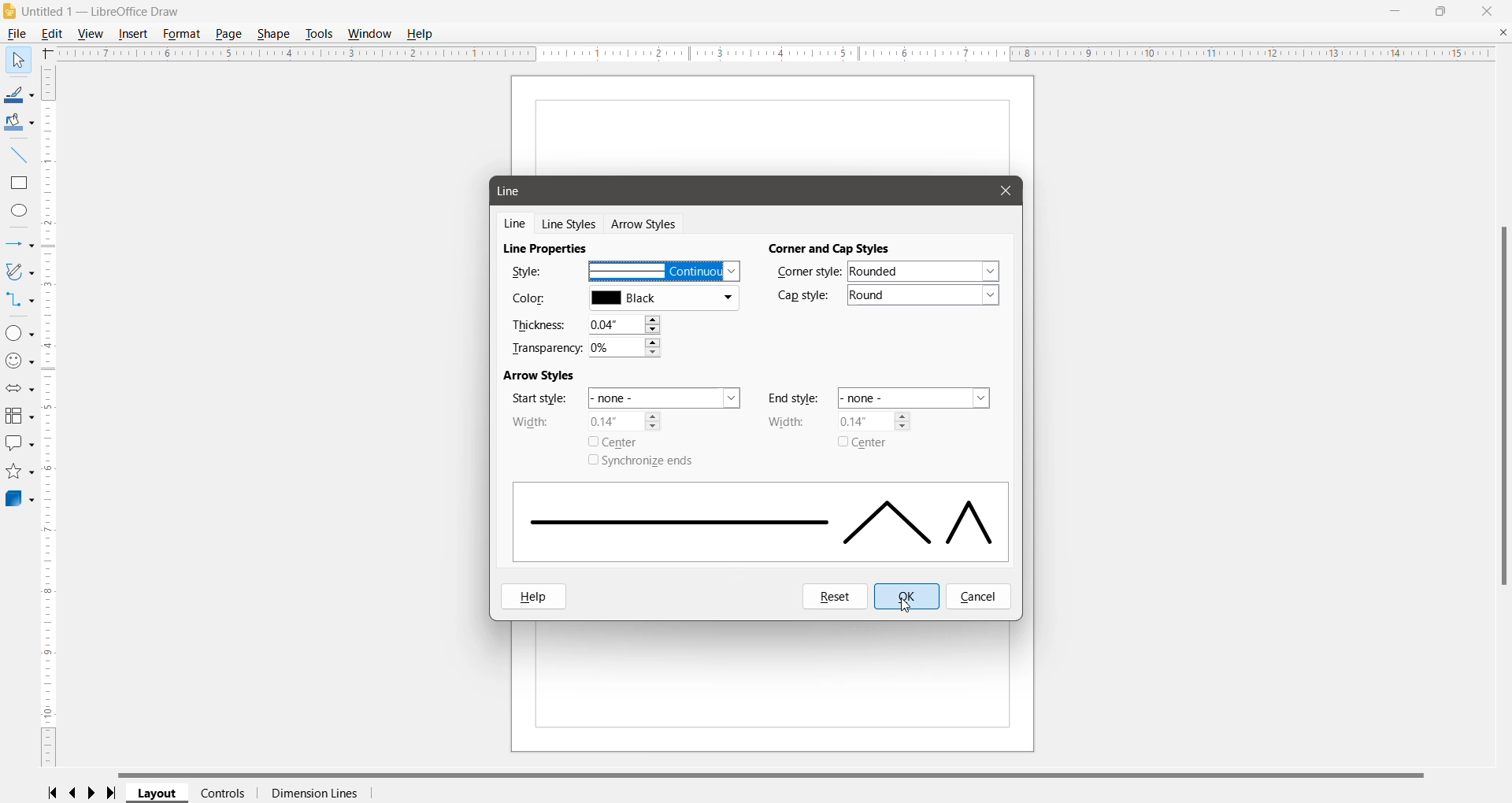  Describe the element at coordinates (624, 325) in the screenshot. I see `Set the required Thickness` at that location.